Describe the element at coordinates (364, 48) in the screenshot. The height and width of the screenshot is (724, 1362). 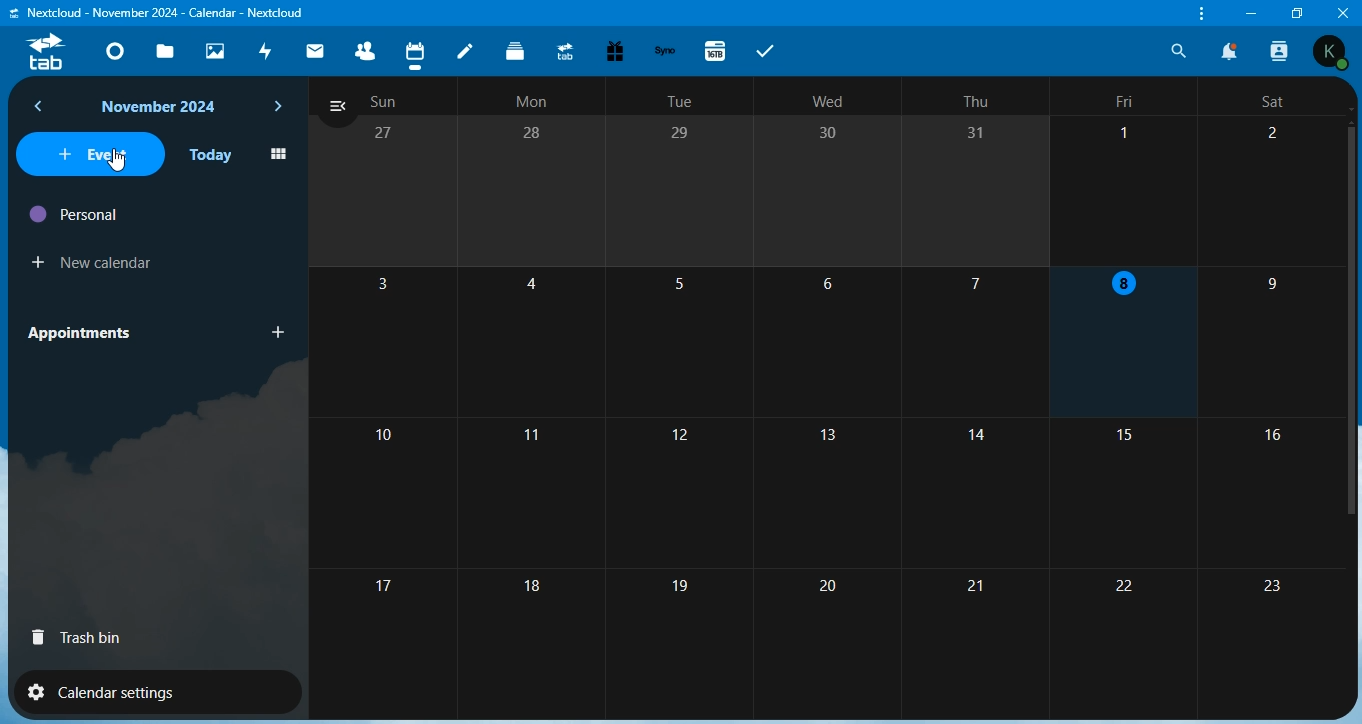
I see `contacts` at that location.